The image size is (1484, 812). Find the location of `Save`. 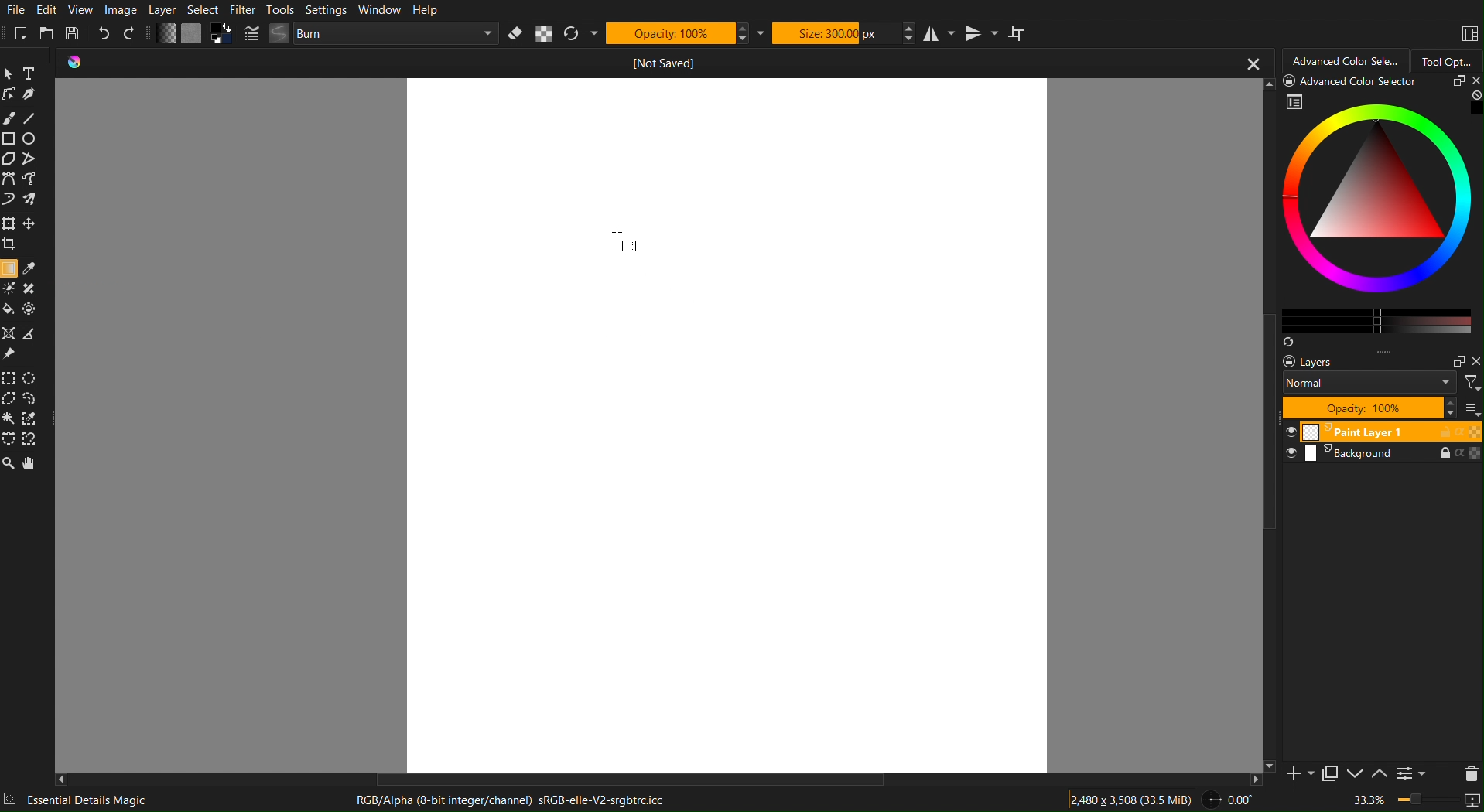

Save is located at coordinates (76, 35).